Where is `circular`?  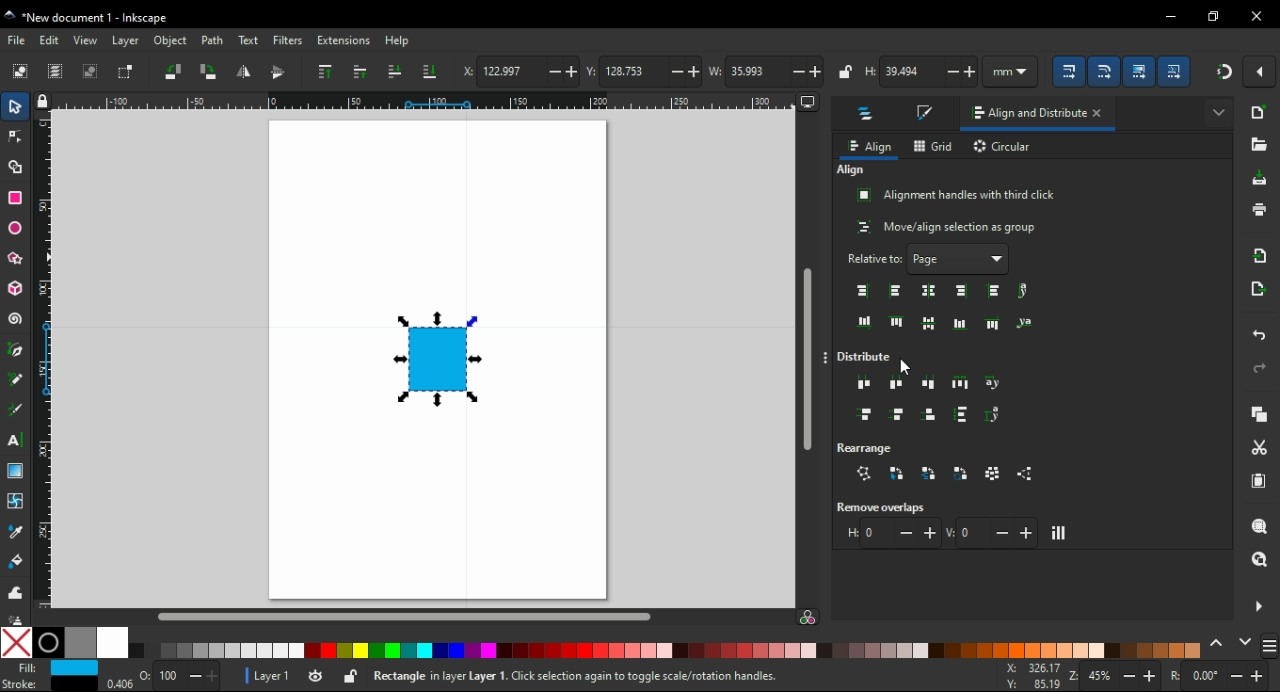 circular is located at coordinates (1004, 148).